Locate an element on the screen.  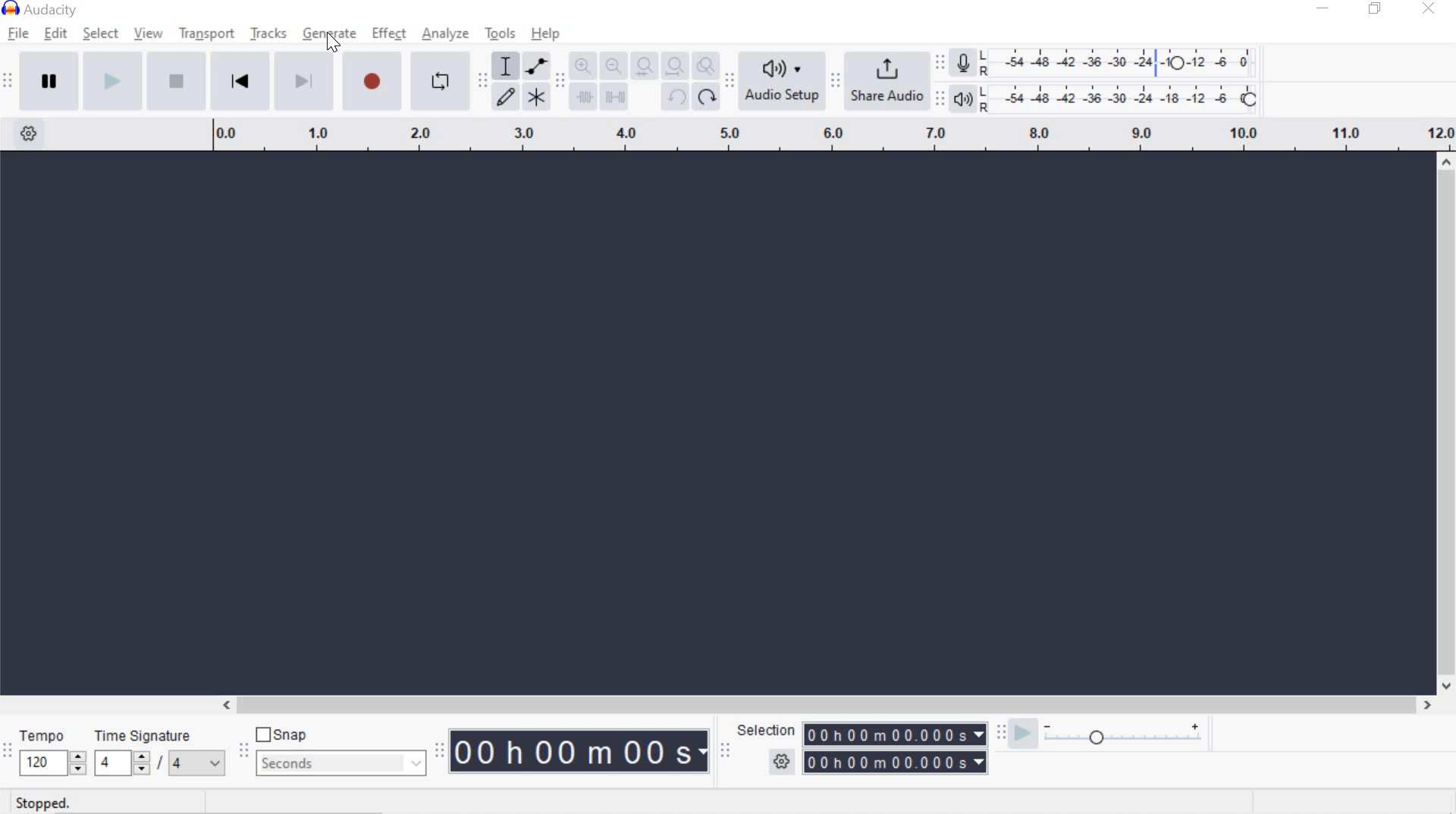
Tempo is located at coordinates (52, 750).